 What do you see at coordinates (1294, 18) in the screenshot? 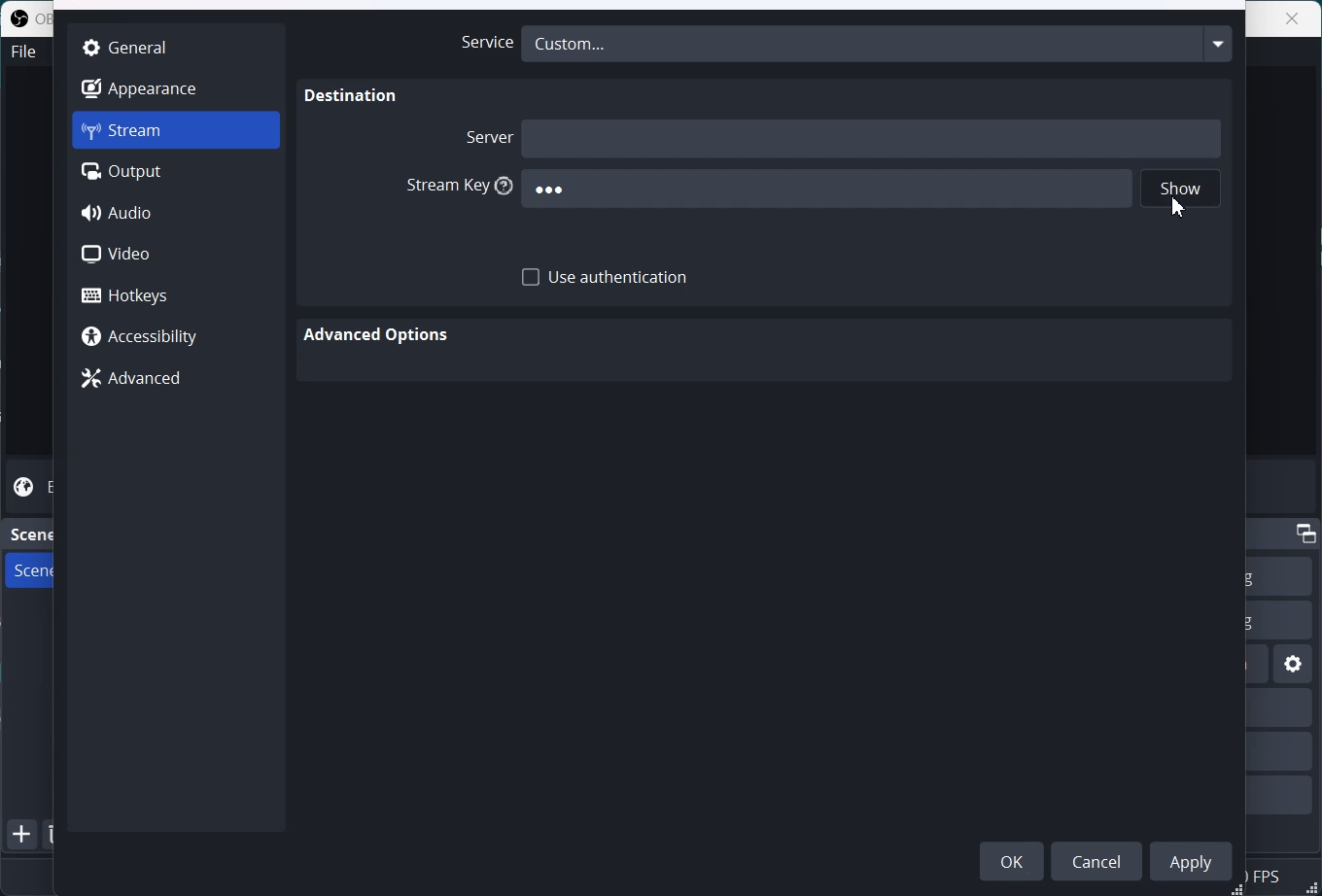
I see `close` at bounding box center [1294, 18].